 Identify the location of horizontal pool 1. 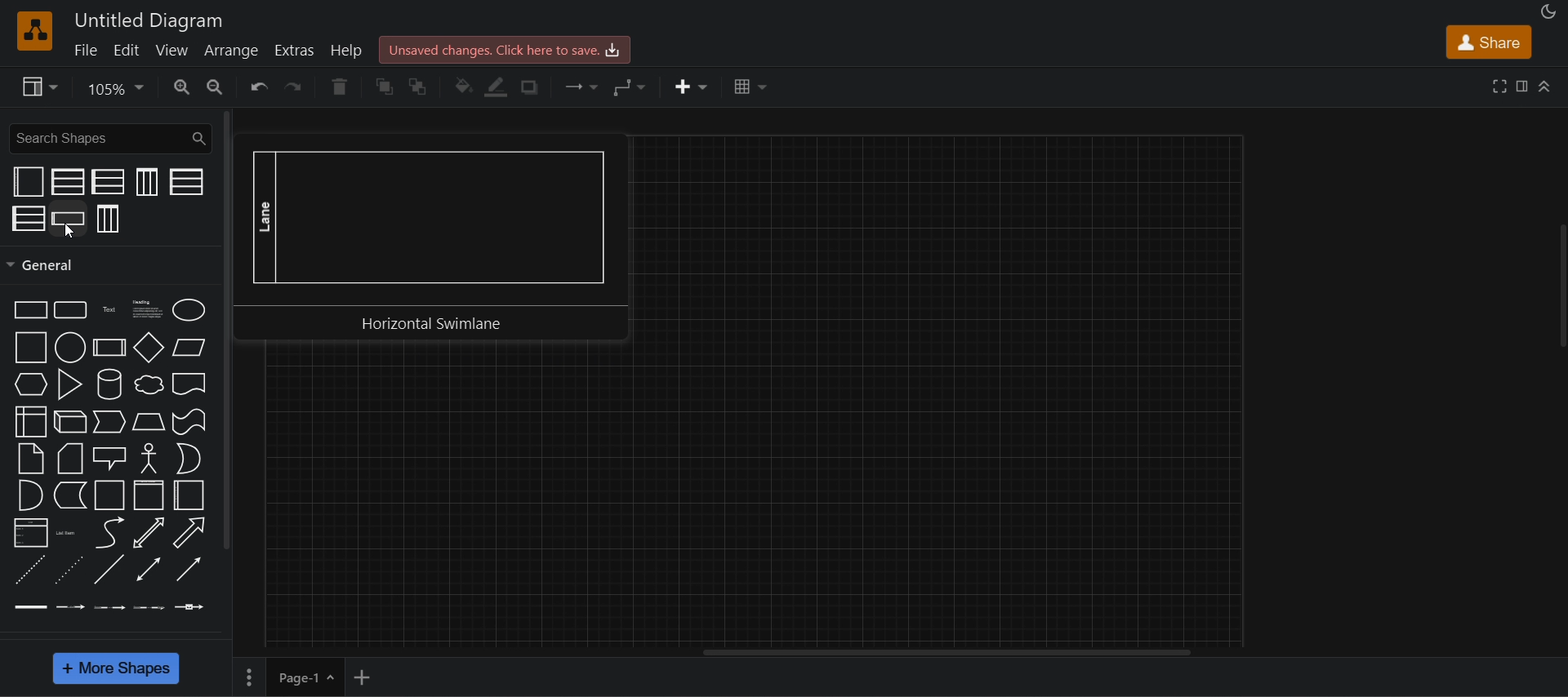
(185, 181).